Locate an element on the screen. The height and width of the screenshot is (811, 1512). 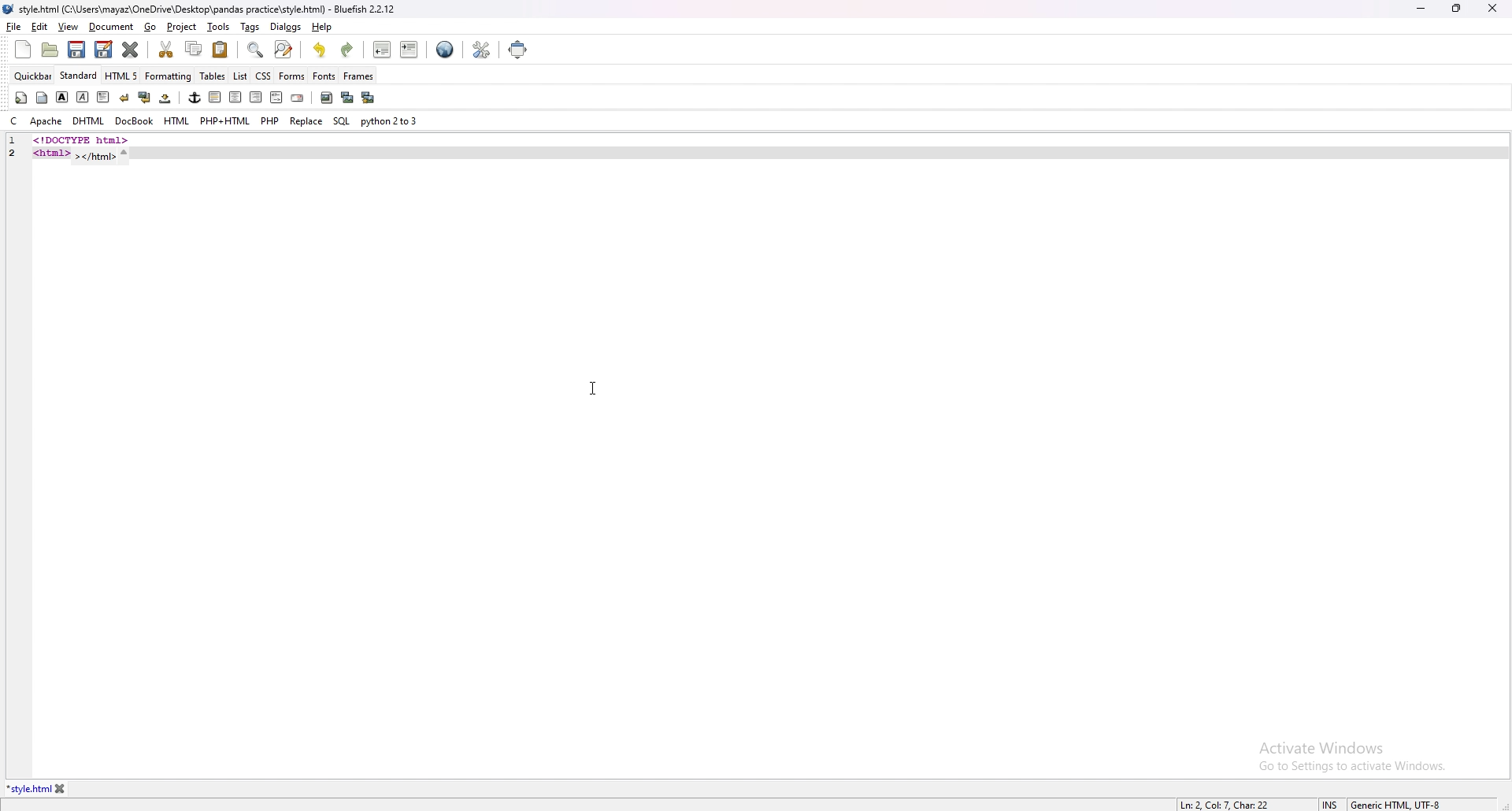
close current tab is located at coordinates (132, 50).